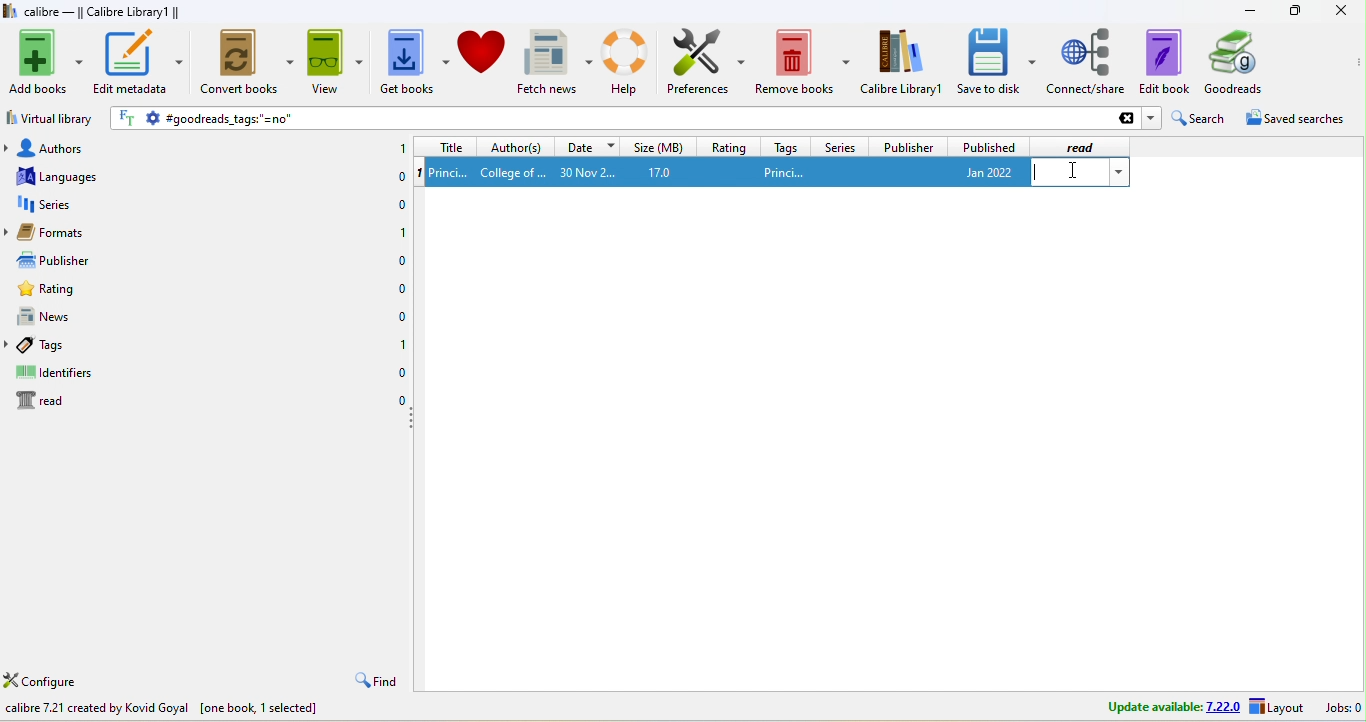  Describe the element at coordinates (1342, 709) in the screenshot. I see `jobs 0` at that location.